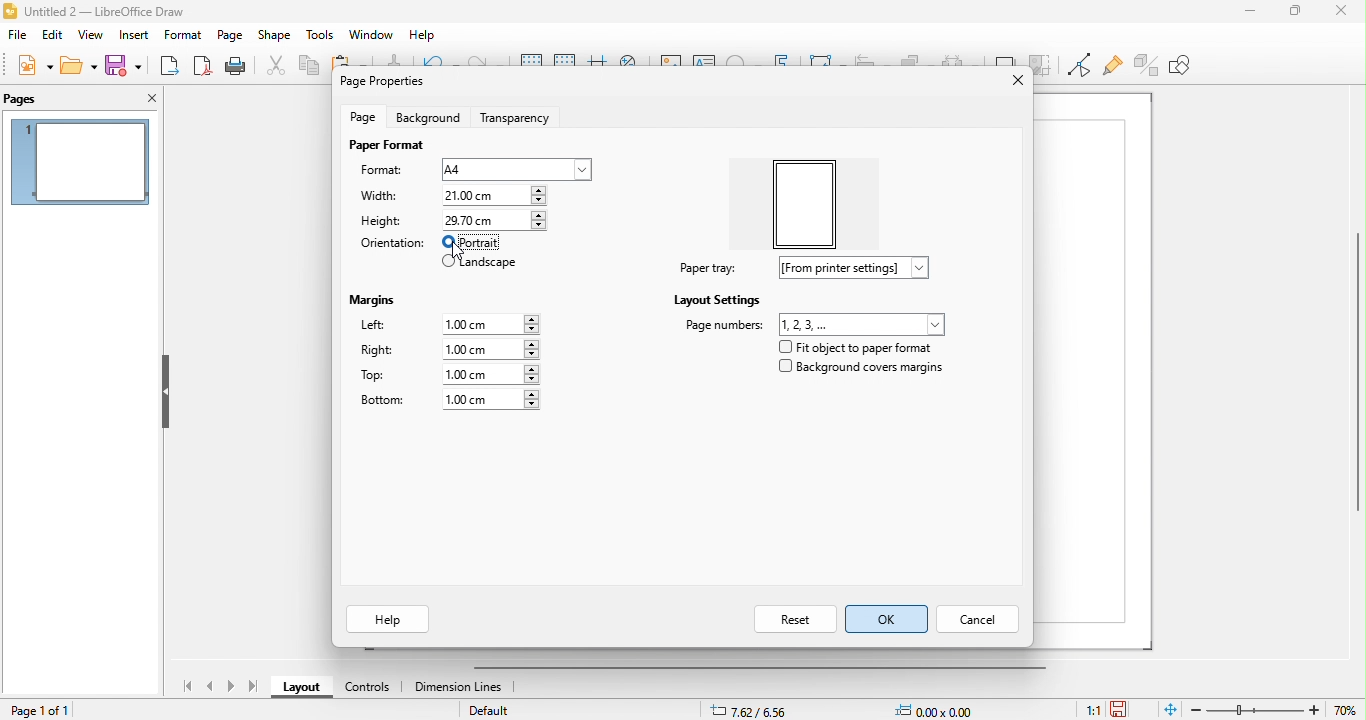 This screenshot has width=1366, height=720. Describe the element at coordinates (826, 61) in the screenshot. I see `transformations` at that location.